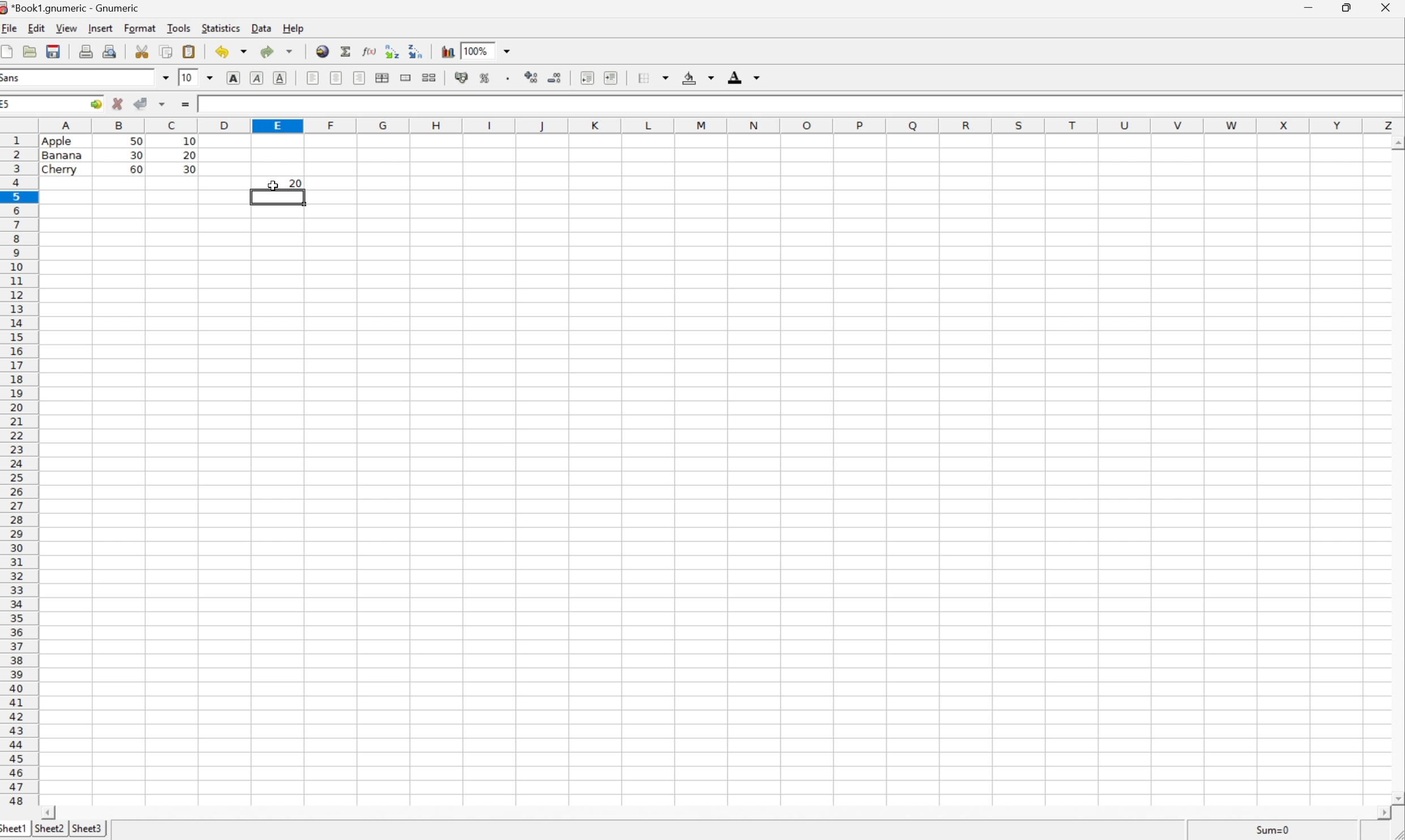  I want to click on row number, so click(19, 470).